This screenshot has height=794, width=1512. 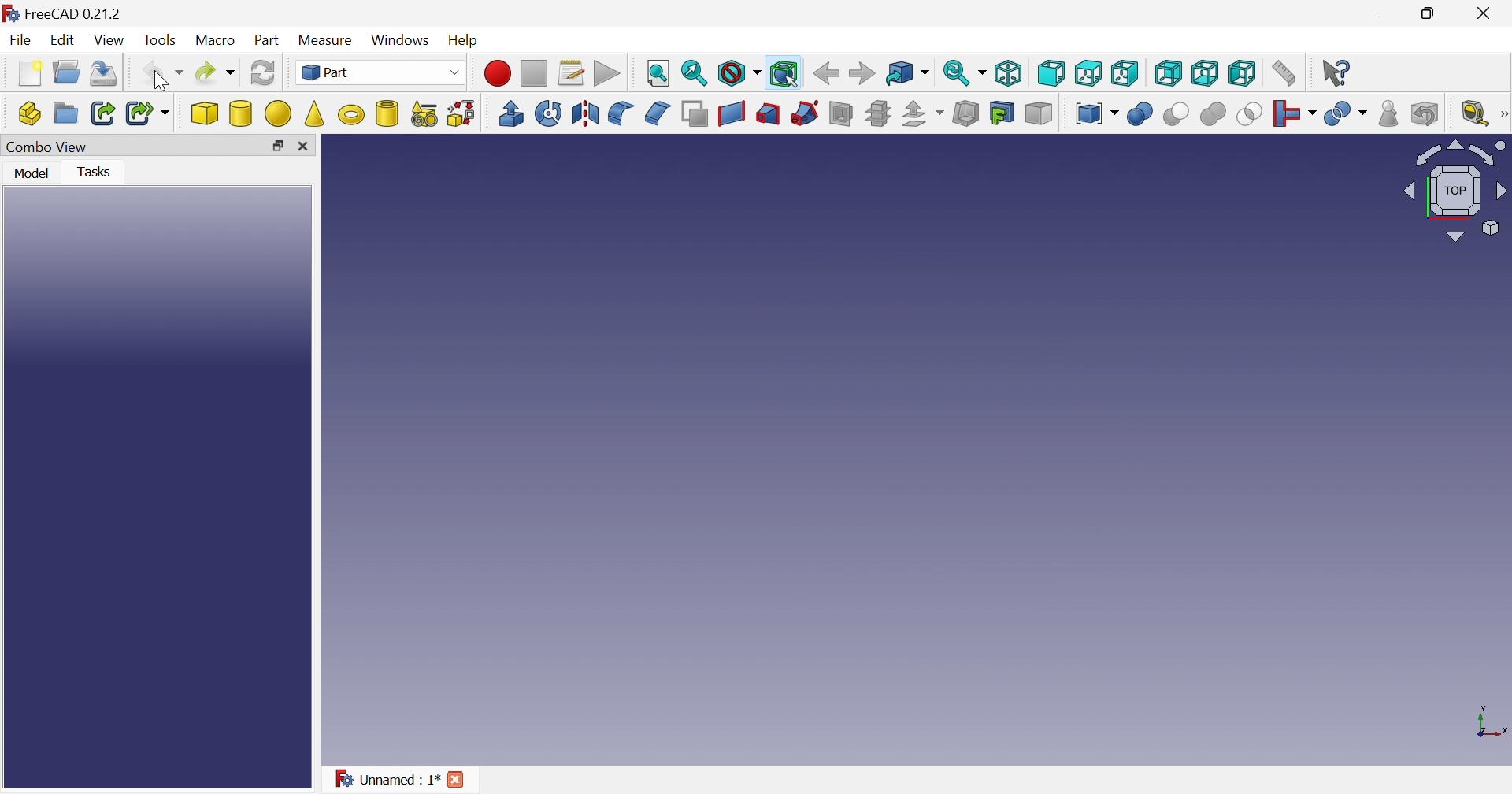 What do you see at coordinates (163, 74) in the screenshot?
I see `Undo` at bounding box center [163, 74].